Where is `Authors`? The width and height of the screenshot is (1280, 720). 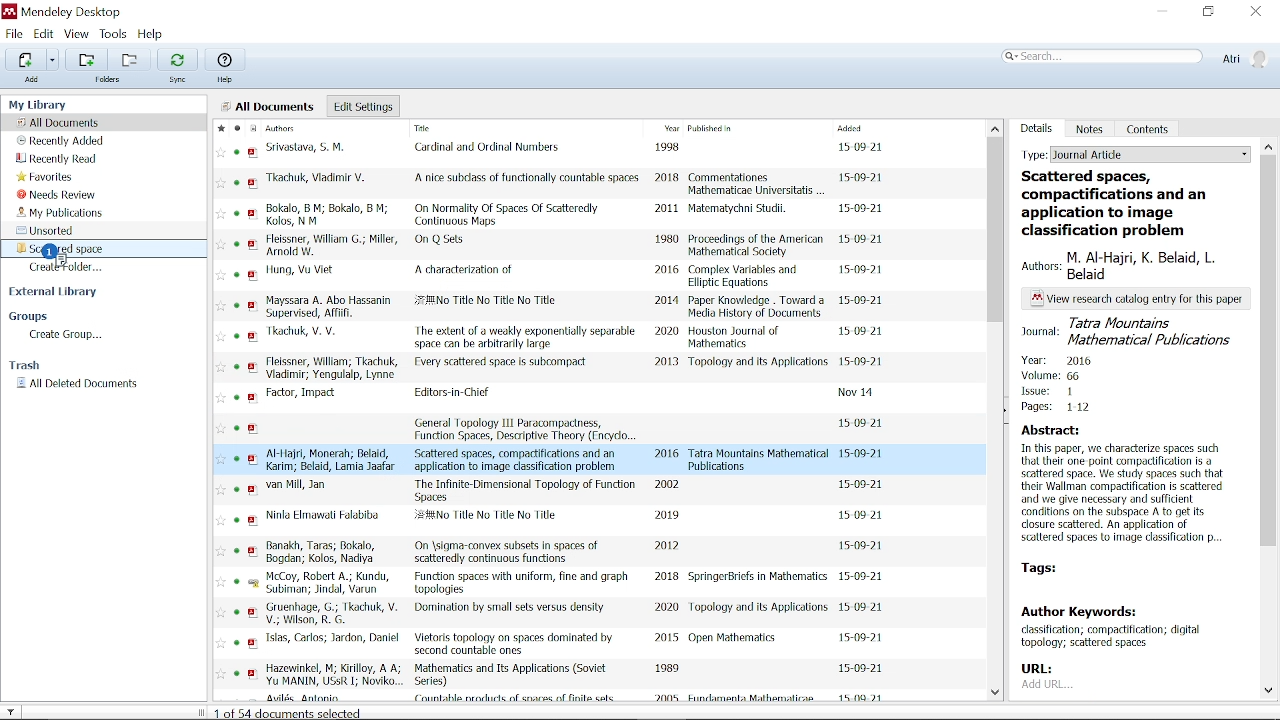
Authors is located at coordinates (297, 128).